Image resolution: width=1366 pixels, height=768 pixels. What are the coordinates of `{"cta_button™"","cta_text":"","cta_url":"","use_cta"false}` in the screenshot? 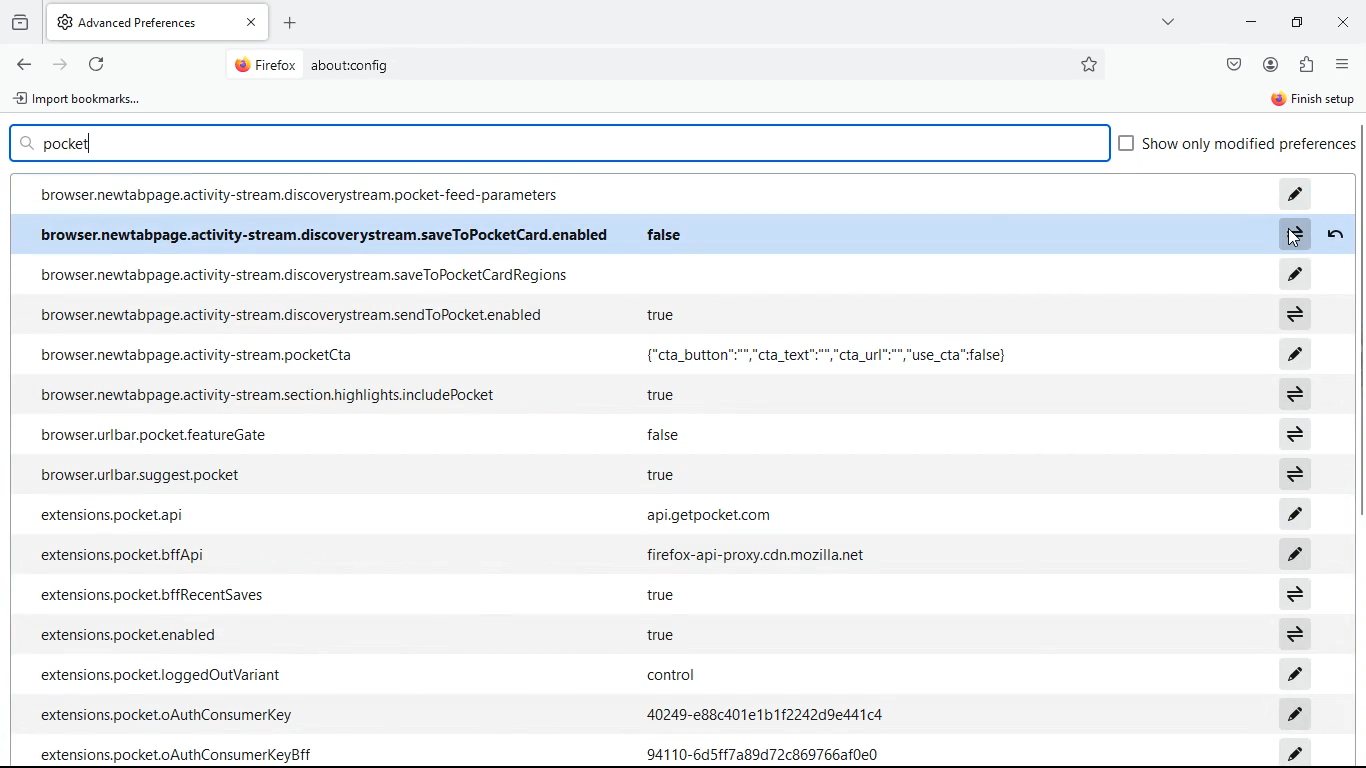 It's located at (823, 355).